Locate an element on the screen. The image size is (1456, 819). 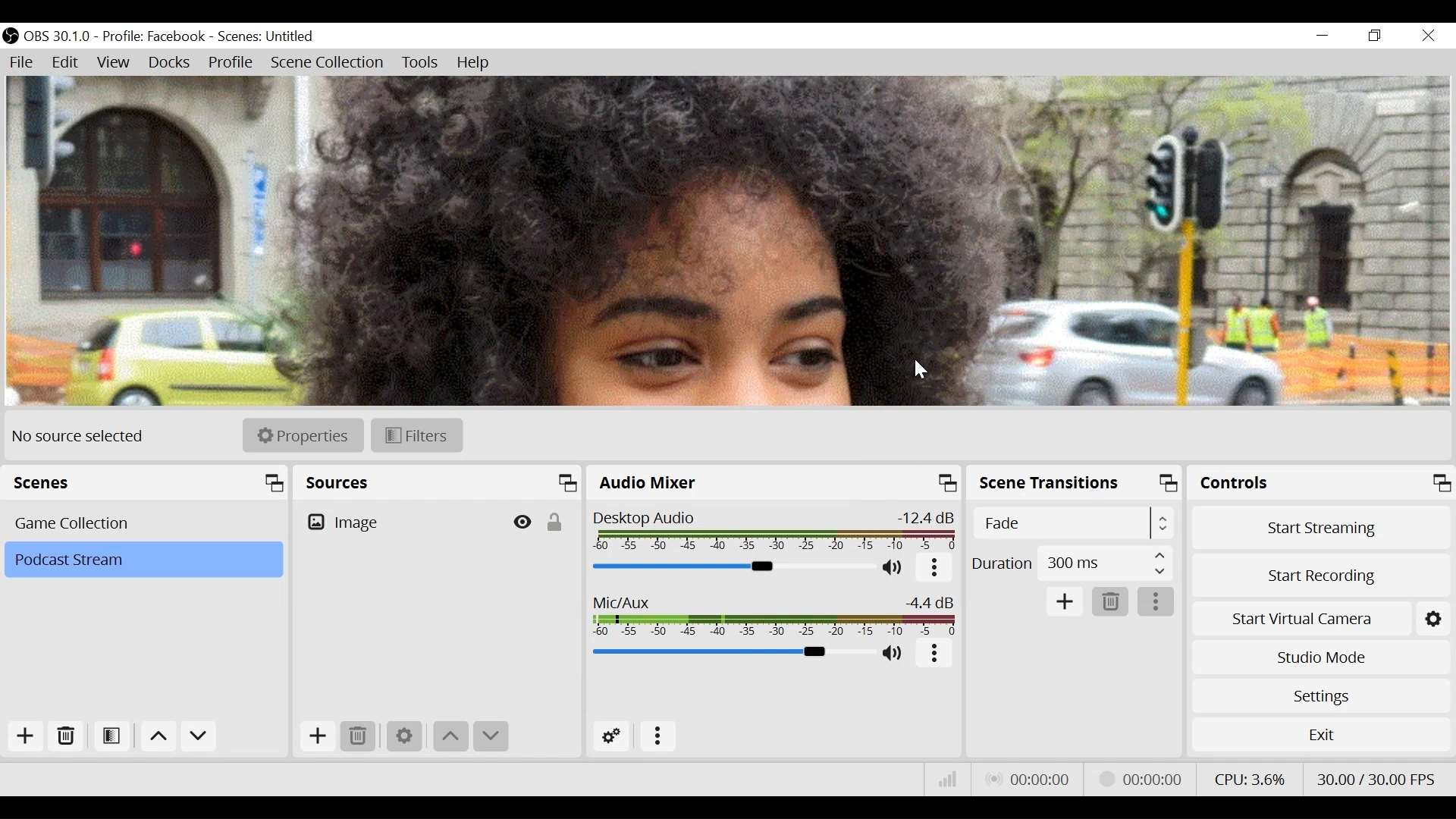
cursor is located at coordinates (921, 371).